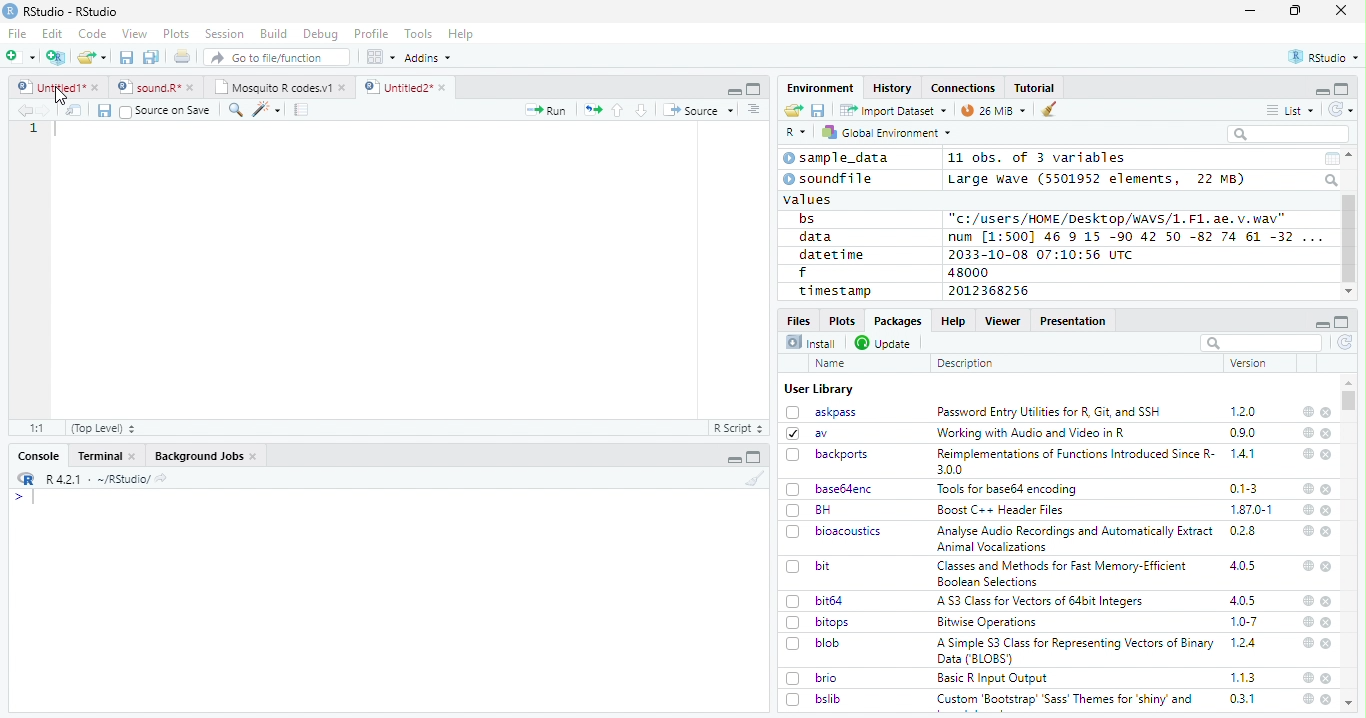  What do you see at coordinates (1351, 155) in the screenshot?
I see `scroll up` at bounding box center [1351, 155].